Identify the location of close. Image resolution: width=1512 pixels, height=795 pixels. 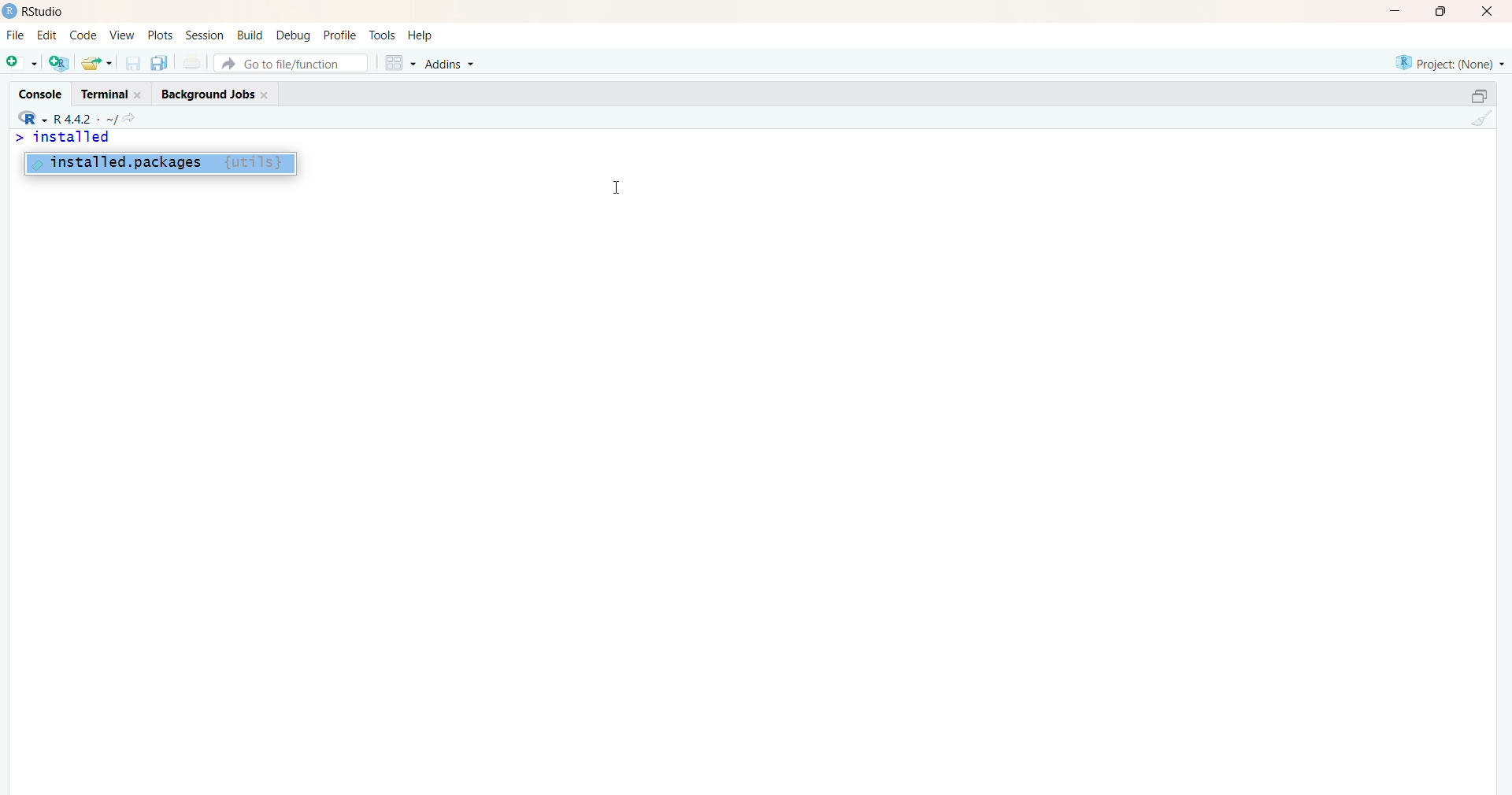
(1491, 10).